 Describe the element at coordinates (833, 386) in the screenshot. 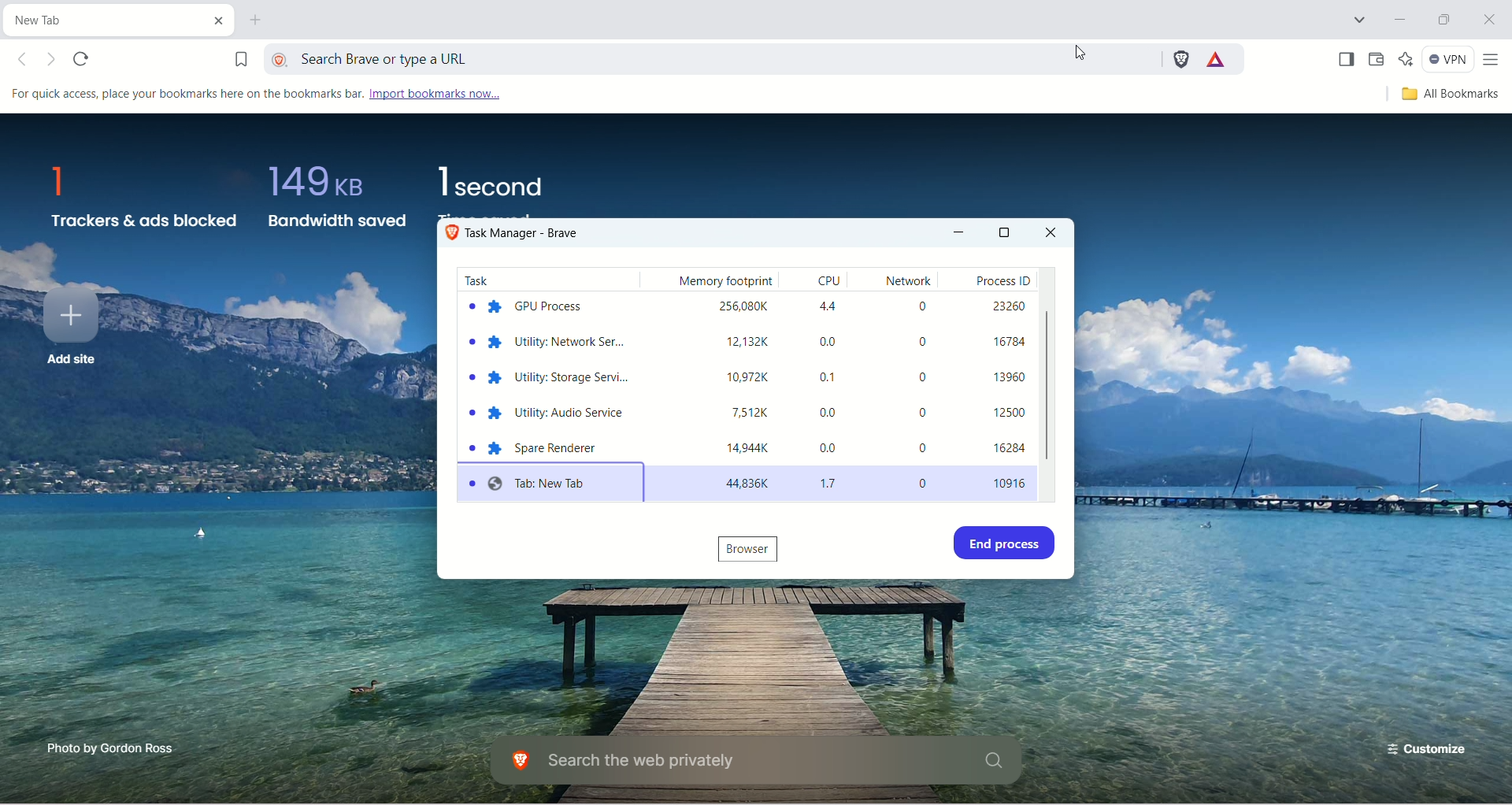

I see `CPU` at that location.